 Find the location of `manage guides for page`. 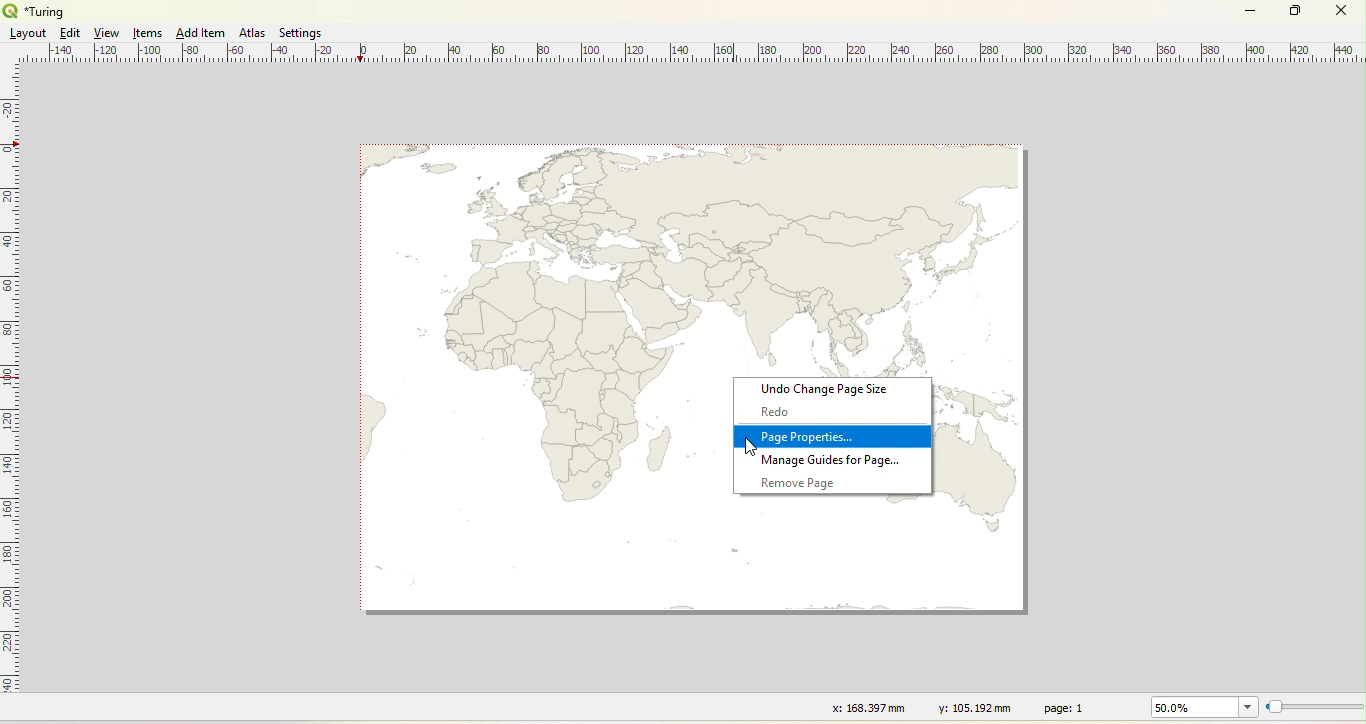

manage guides for page is located at coordinates (833, 460).